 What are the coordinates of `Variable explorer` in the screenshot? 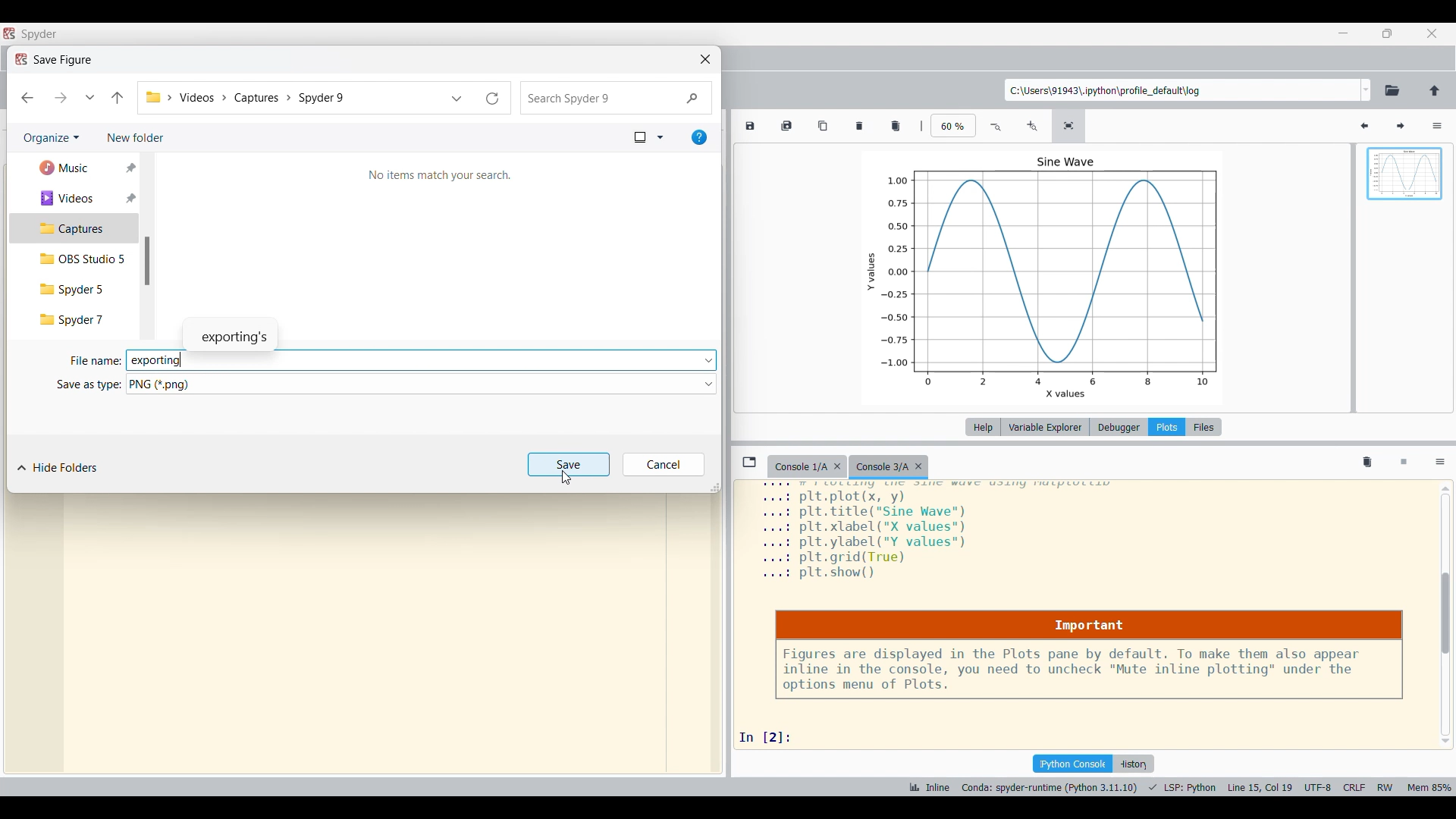 It's located at (1046, 427).